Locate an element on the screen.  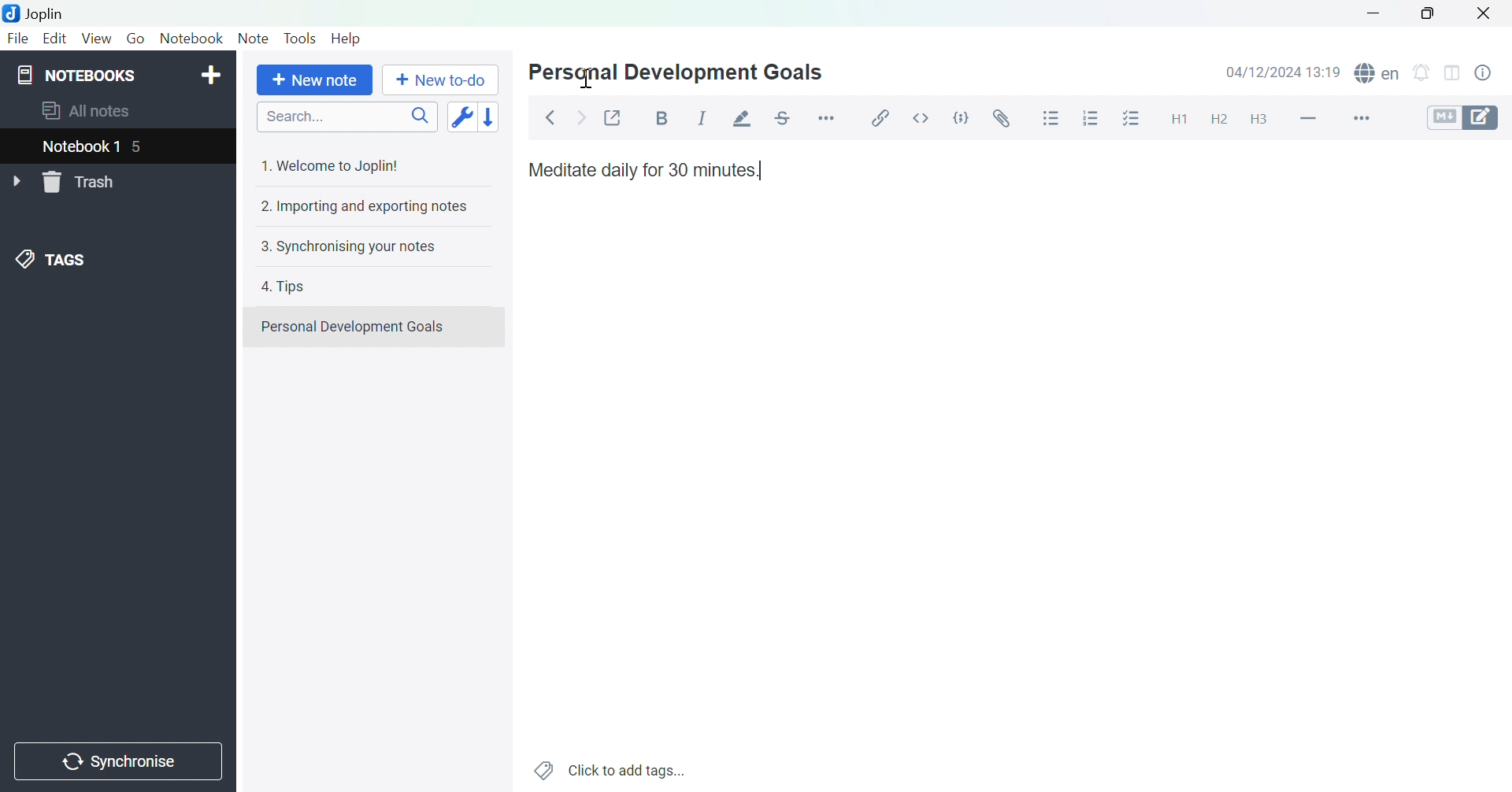
Numbered list is located at coordinates (1089, 119).